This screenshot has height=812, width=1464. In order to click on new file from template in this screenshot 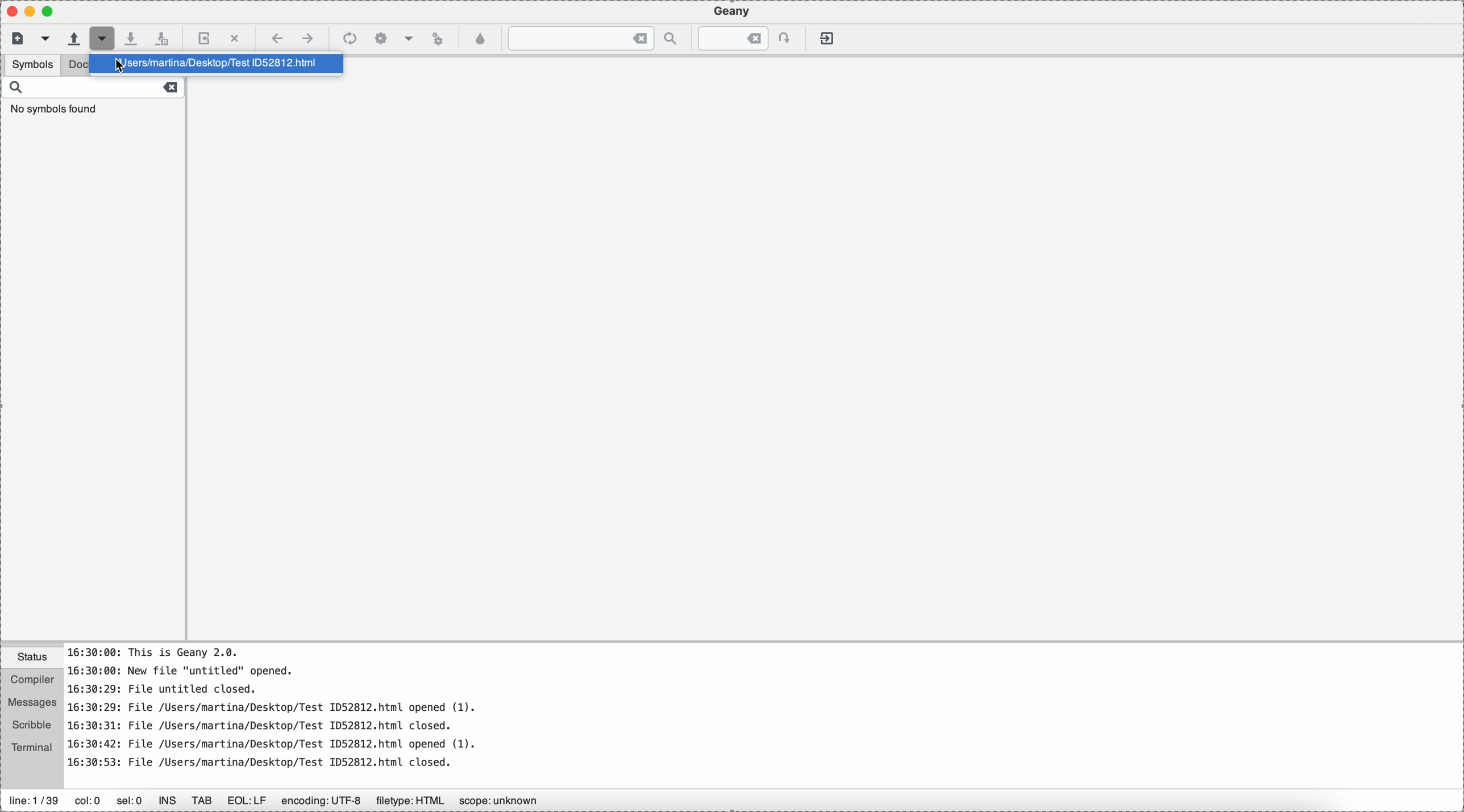, I will do `click(45, 39)`.